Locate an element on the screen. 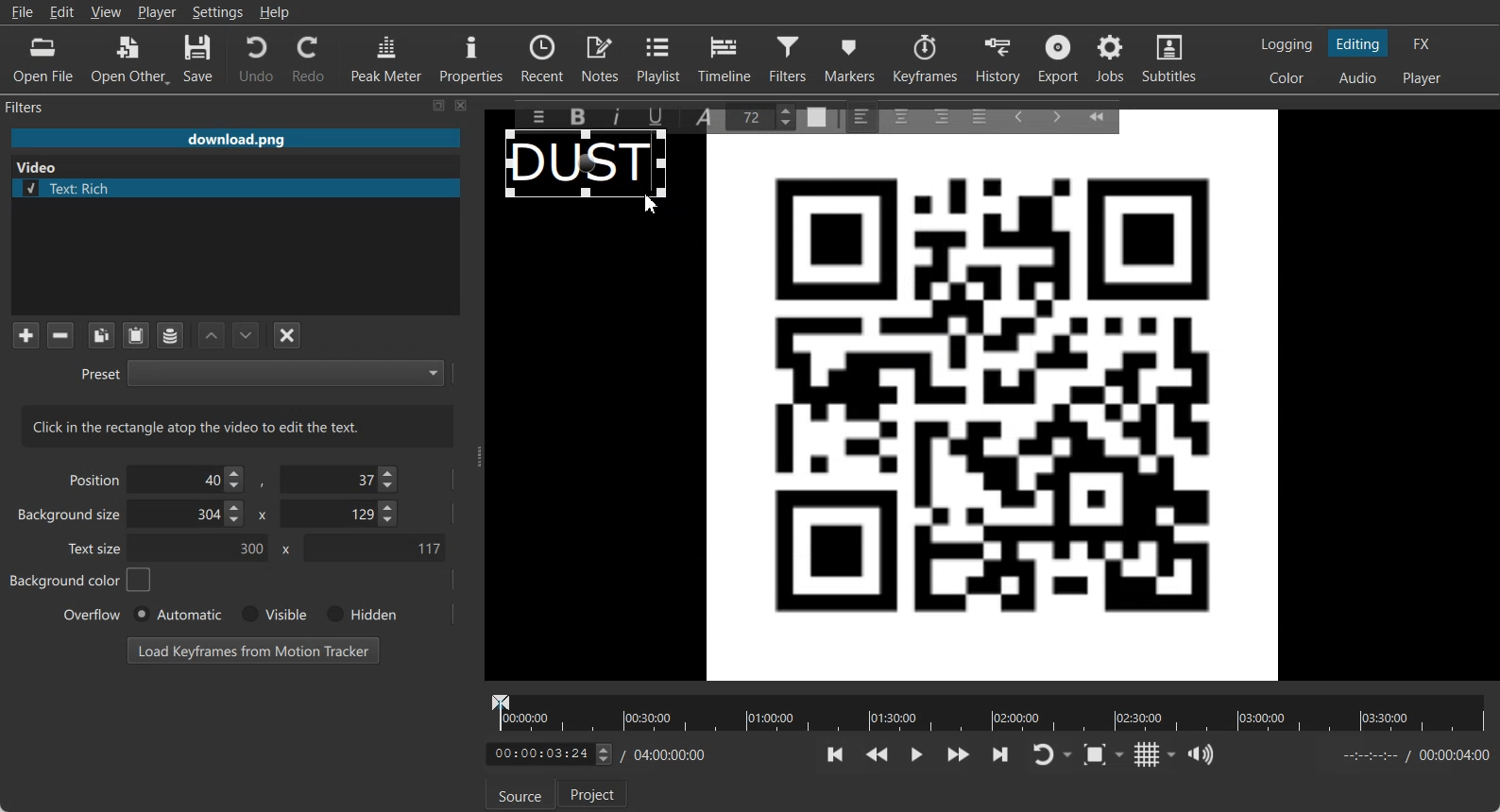 Image resolution: width=1500 pixels, height=812 pixels. Save a filter set is located at coordinates (169, 336).